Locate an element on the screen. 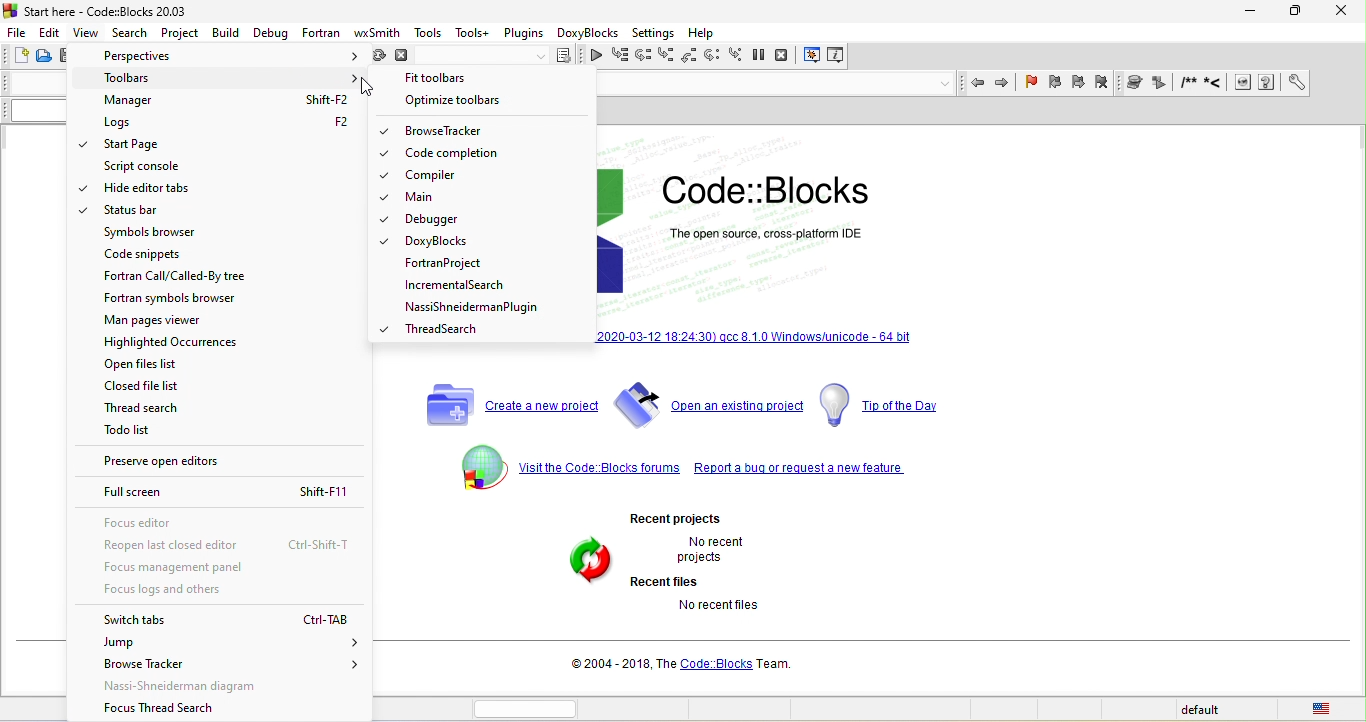 Image resolution: width=1366 pixels, height=722 pixels. compiler is located at coordinates (420, 176).